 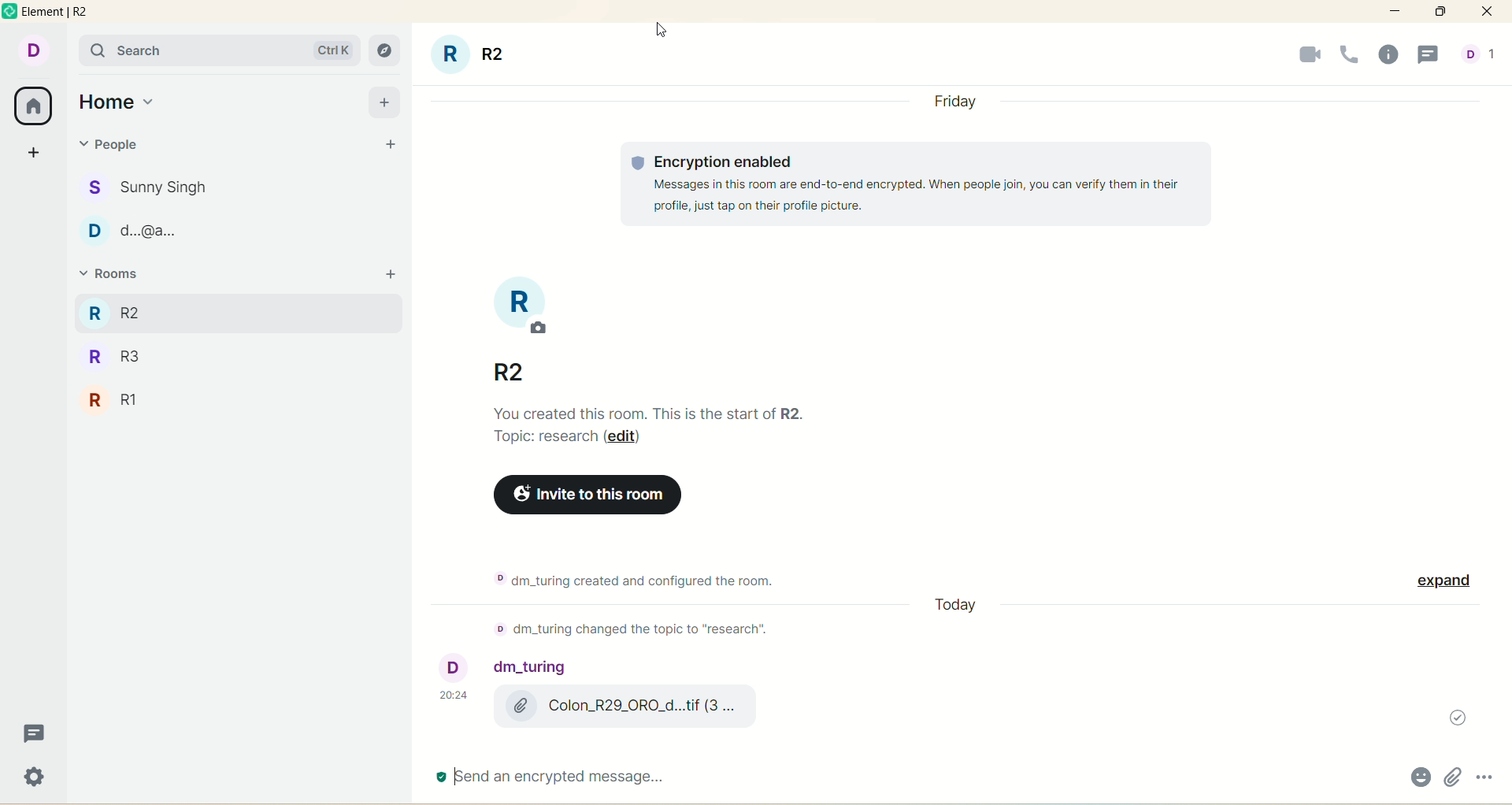 What do you see at coordinates (11, 14) in the screenshot?
I see `logo` at bounding box center [11, 14].